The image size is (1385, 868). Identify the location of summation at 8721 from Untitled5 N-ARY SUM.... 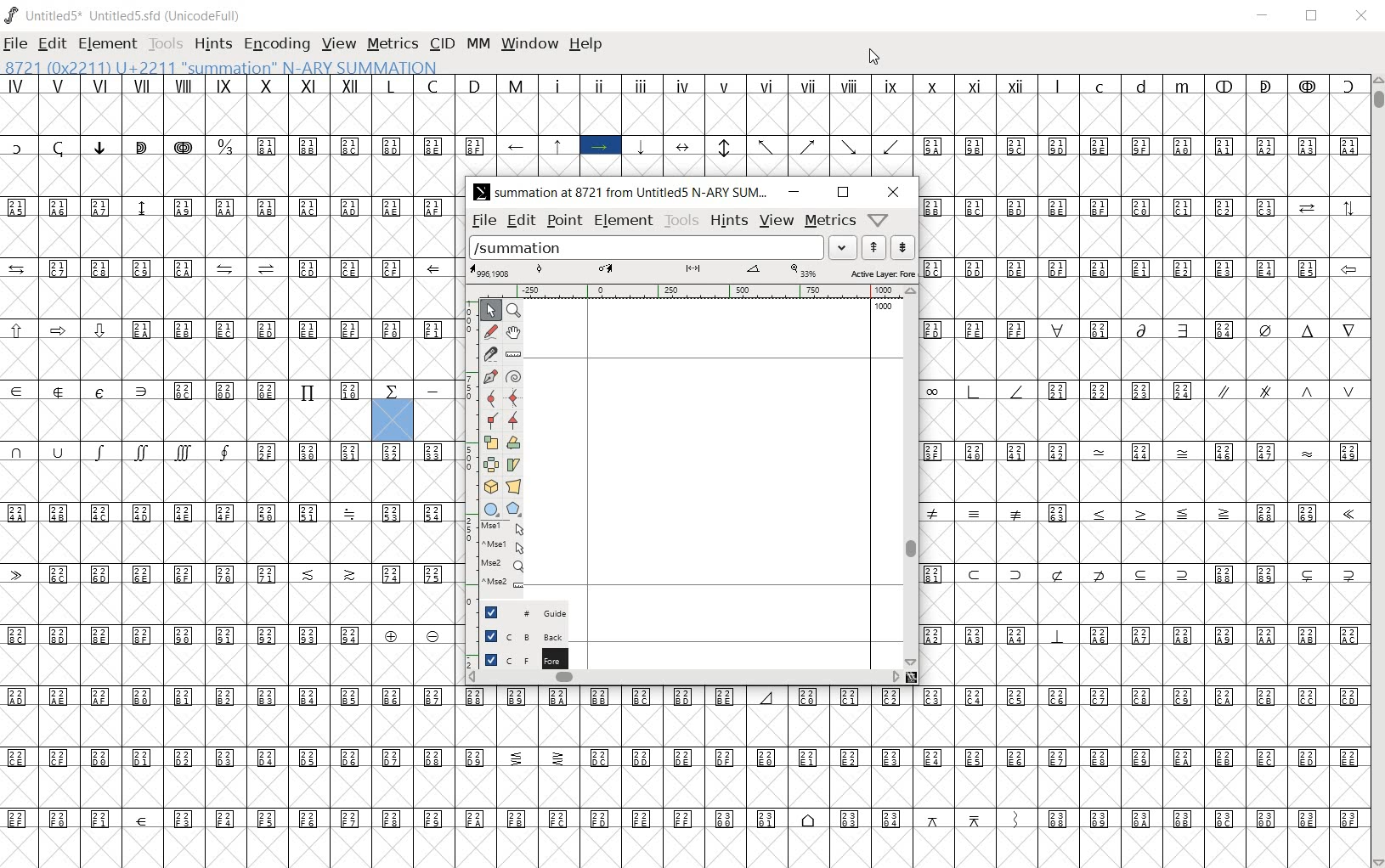
(622, 192).